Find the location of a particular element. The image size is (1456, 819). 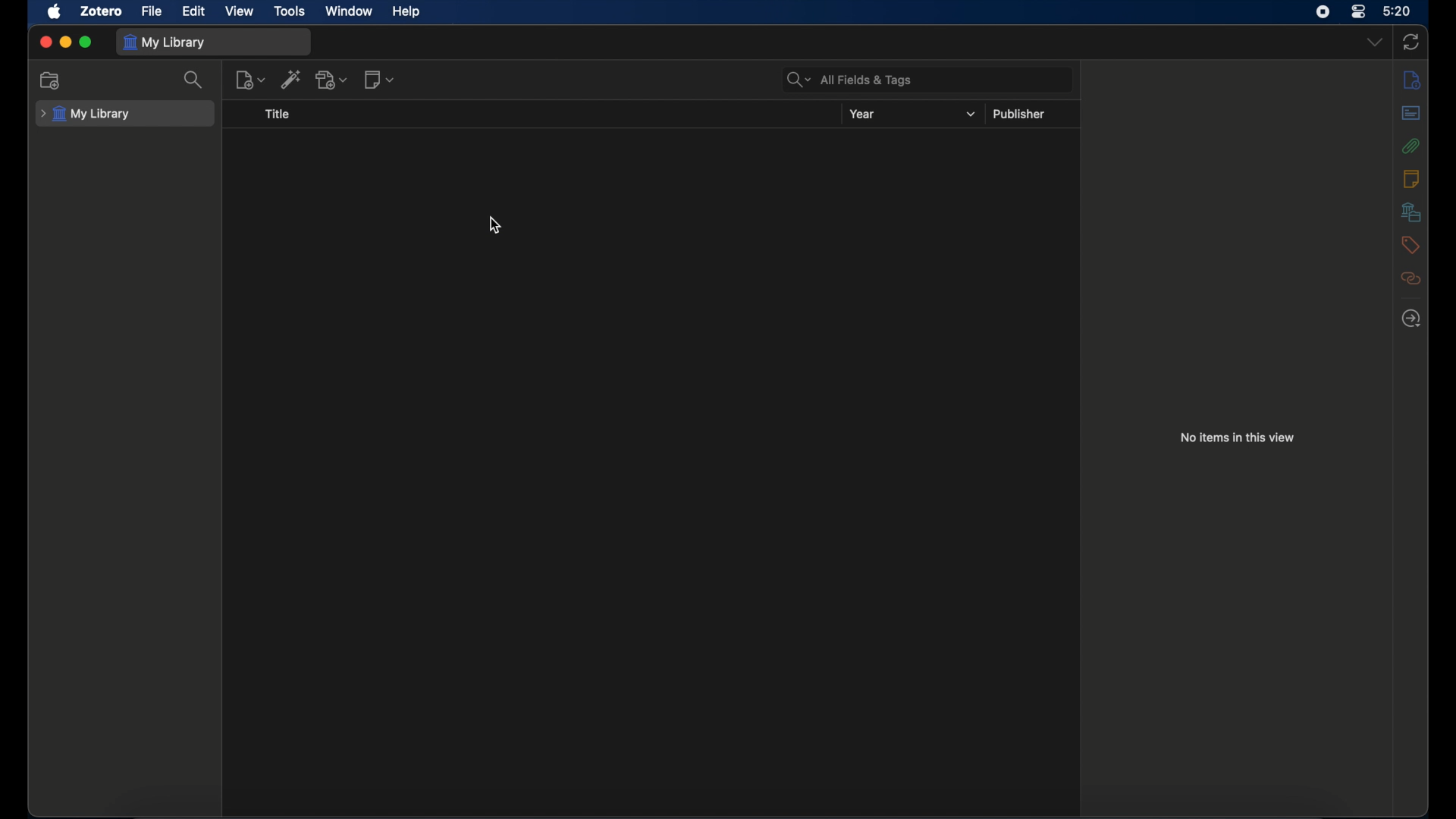

notes is located at coordinates (1410, 178).